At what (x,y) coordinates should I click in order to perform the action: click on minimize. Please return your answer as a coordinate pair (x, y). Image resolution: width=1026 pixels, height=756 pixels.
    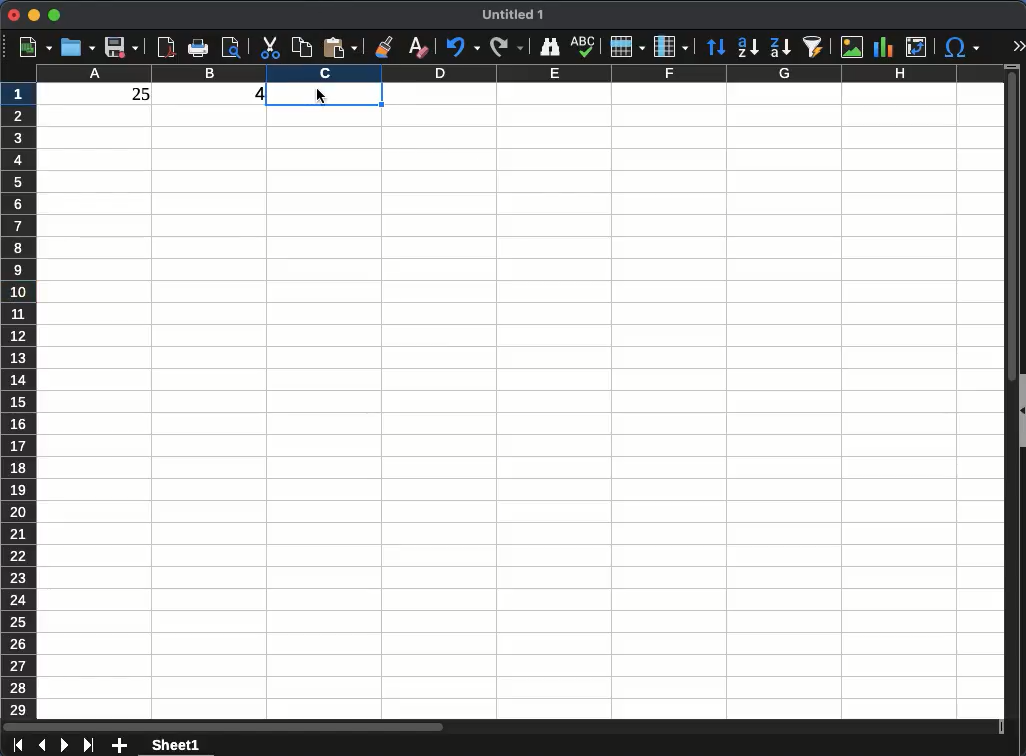
    Looking at the image, I should click on (34, 16).